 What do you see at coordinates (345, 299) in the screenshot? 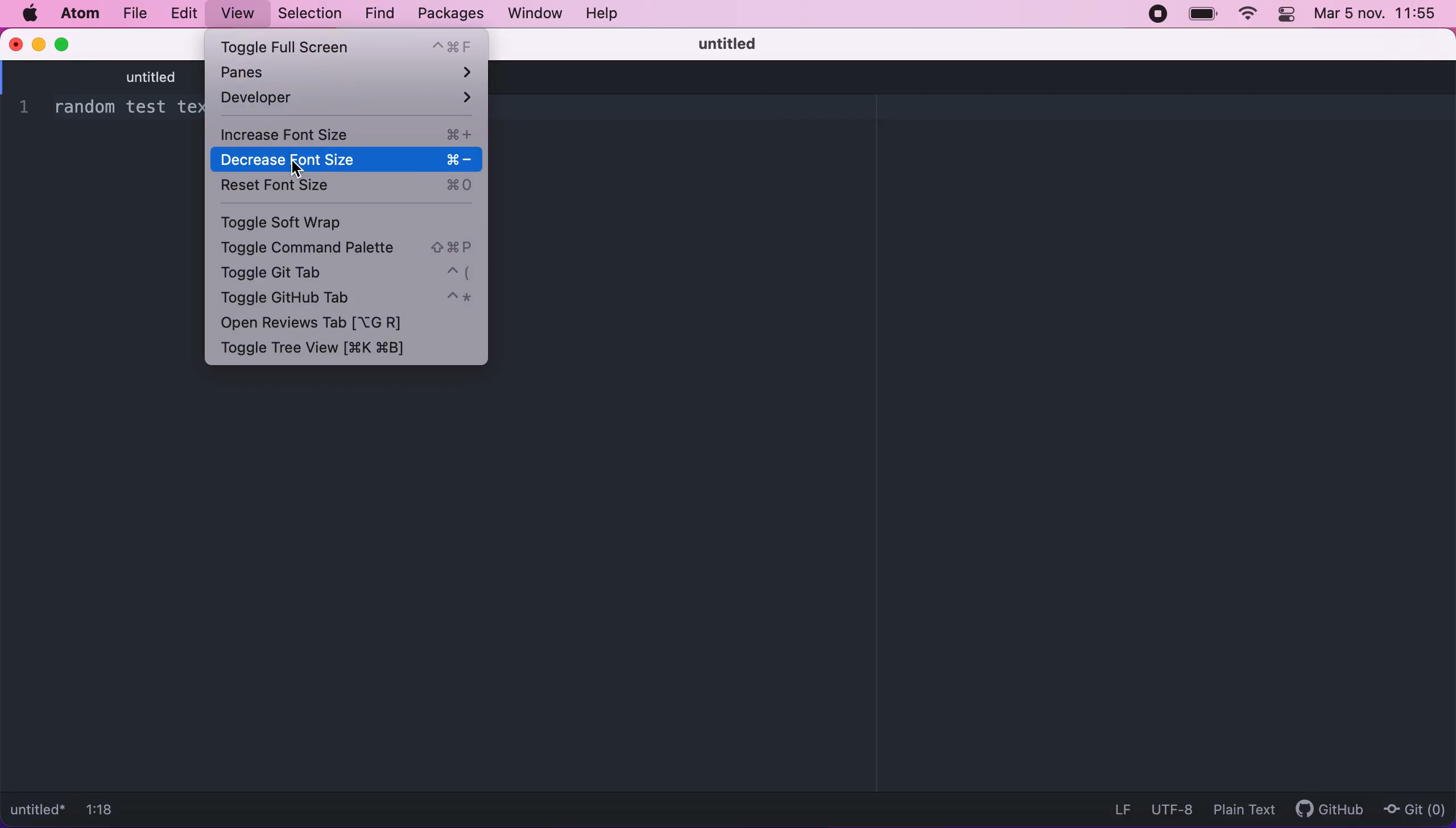
I see `toggle github tab` at bounding box center [345, 299].